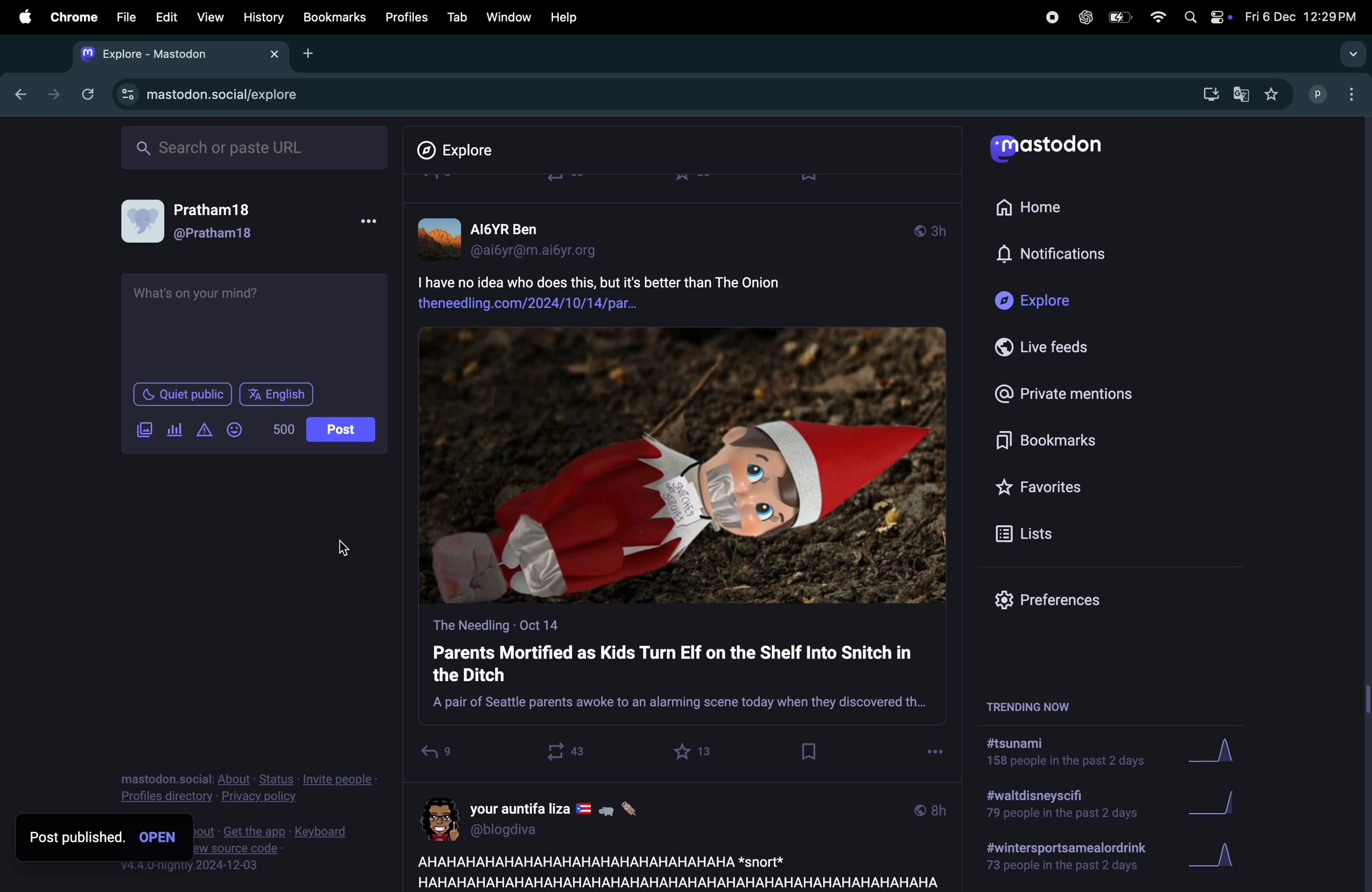 This screenshot has height=892, width=1372. Describe the element at coordinates (1062, 392) in the screenshot. I see `private mentions` at that location.